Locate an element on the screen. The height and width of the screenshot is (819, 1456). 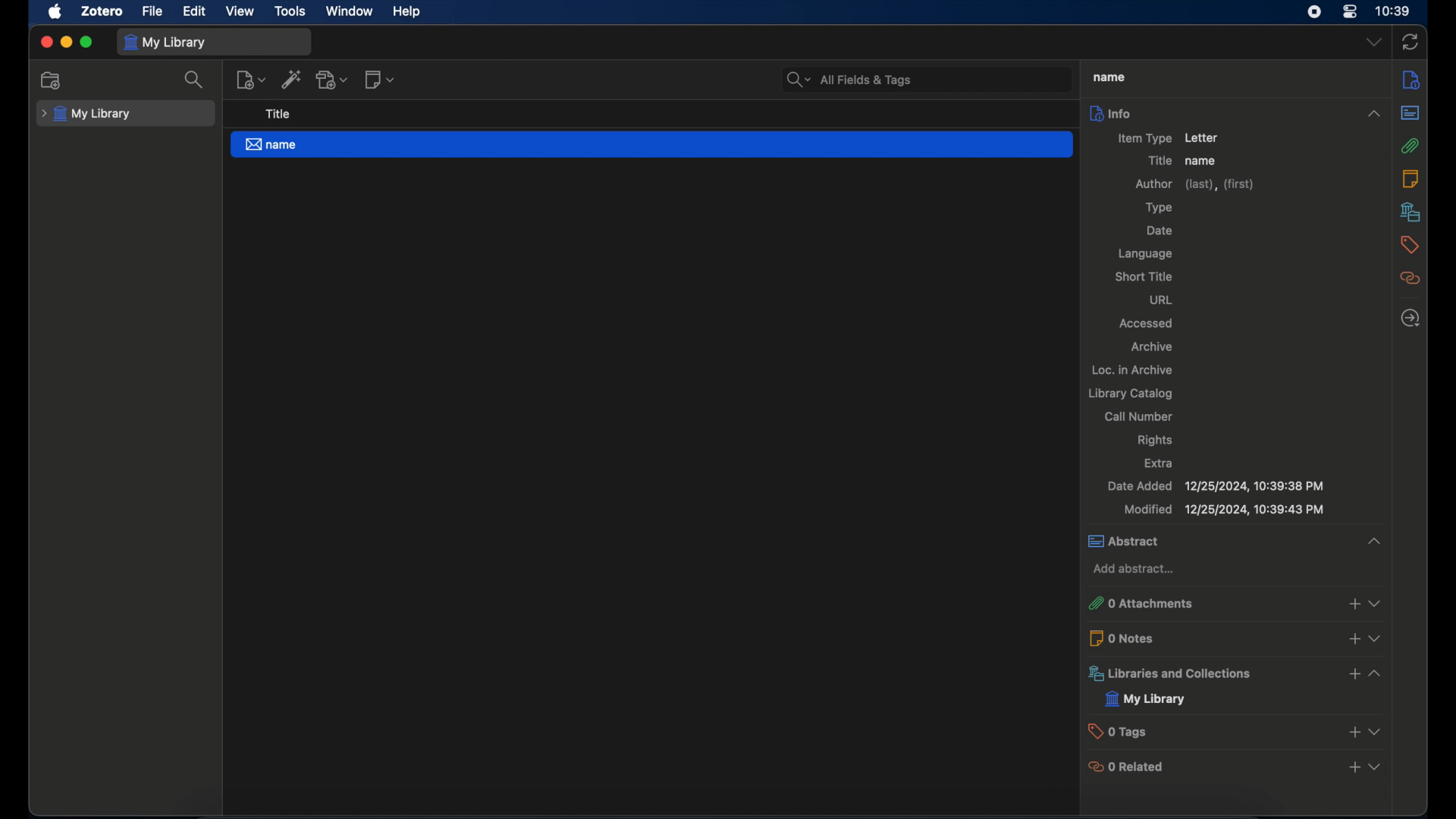
notes is located at coordinates (1410, 178).